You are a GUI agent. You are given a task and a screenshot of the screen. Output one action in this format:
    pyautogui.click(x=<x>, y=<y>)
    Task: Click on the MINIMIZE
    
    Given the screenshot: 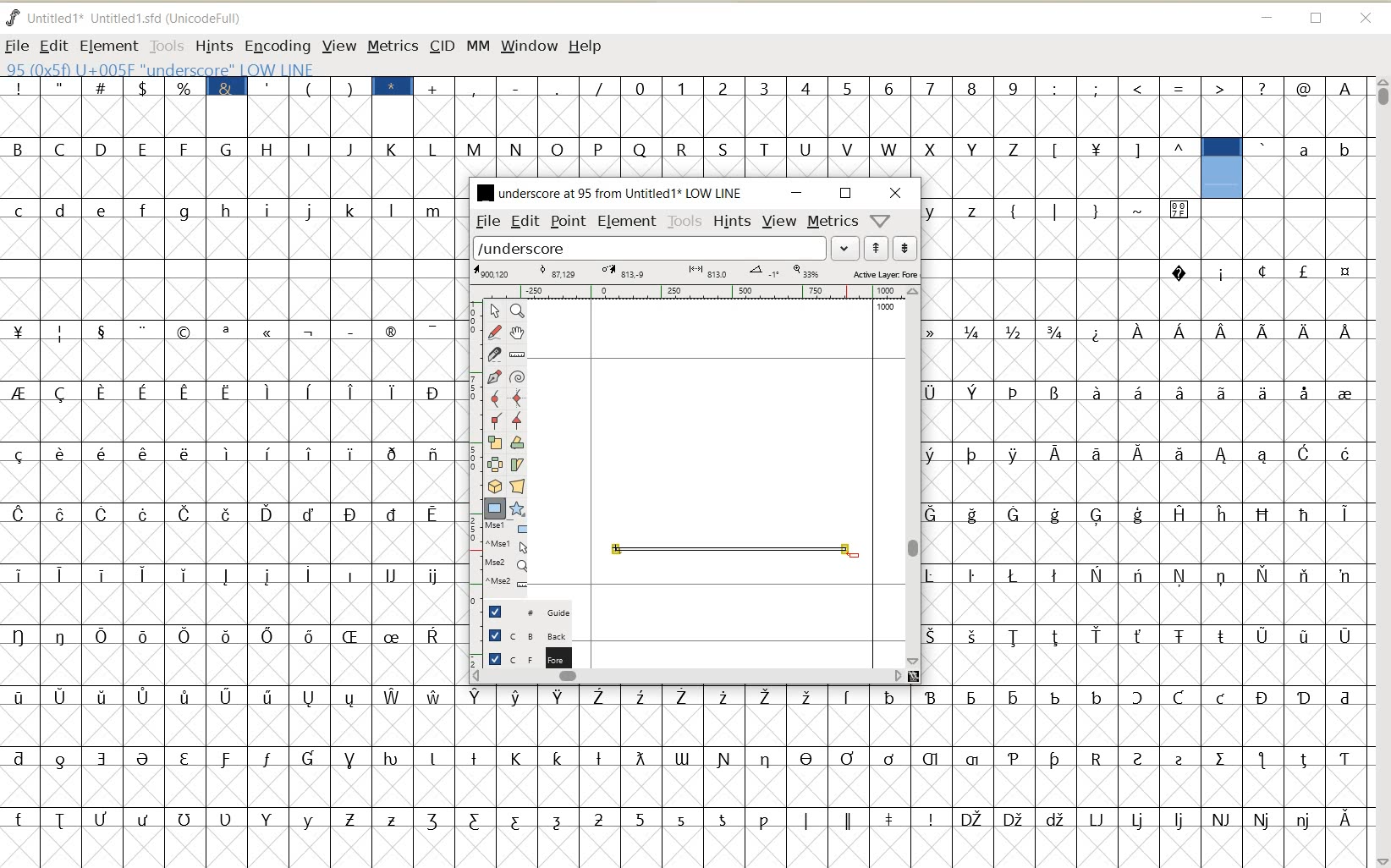 What is the action you would take?
    pyautogui.click(x=798, y=193)
    